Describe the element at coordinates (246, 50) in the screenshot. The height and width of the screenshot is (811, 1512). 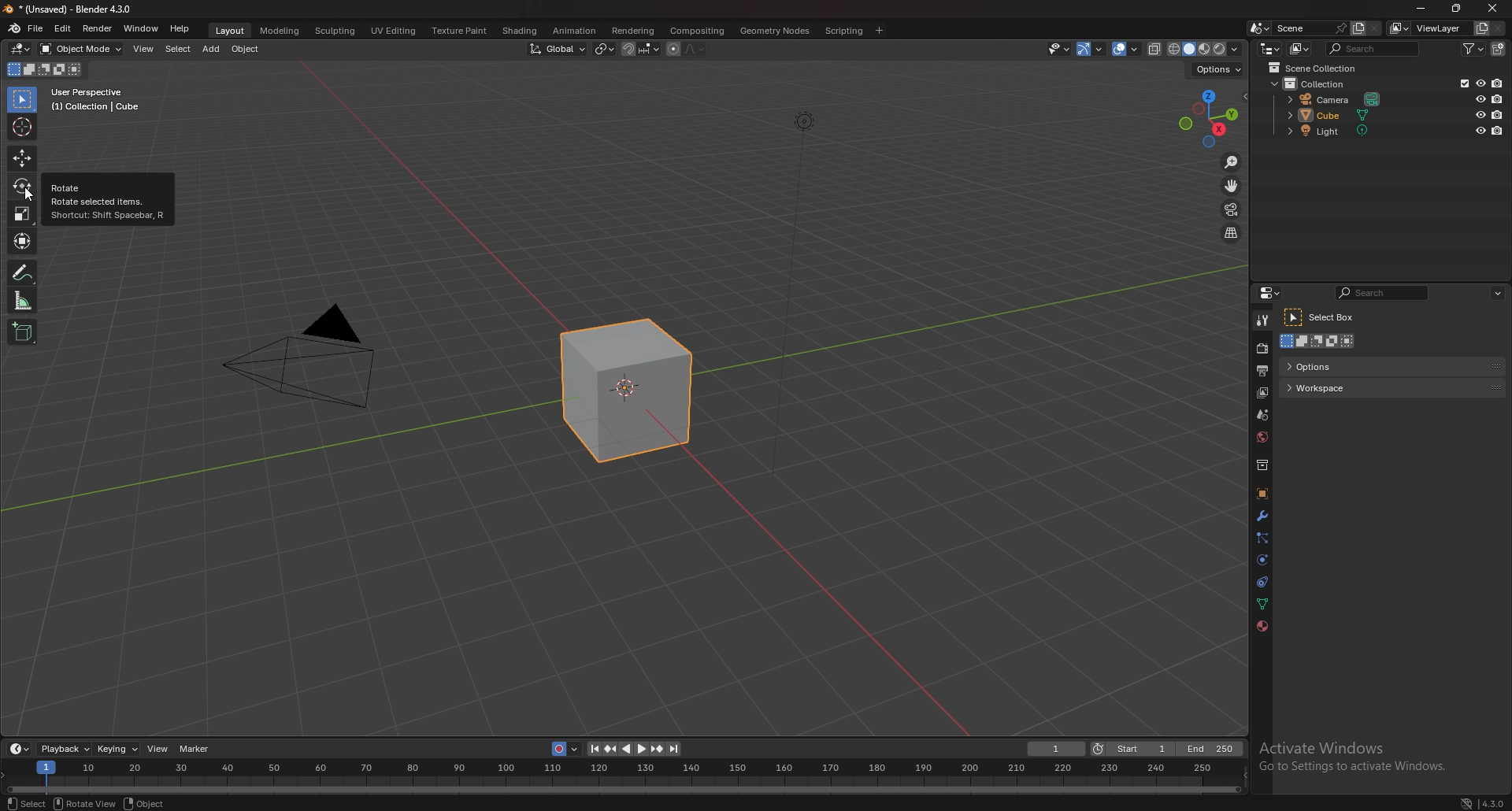
I see `object` at that location.